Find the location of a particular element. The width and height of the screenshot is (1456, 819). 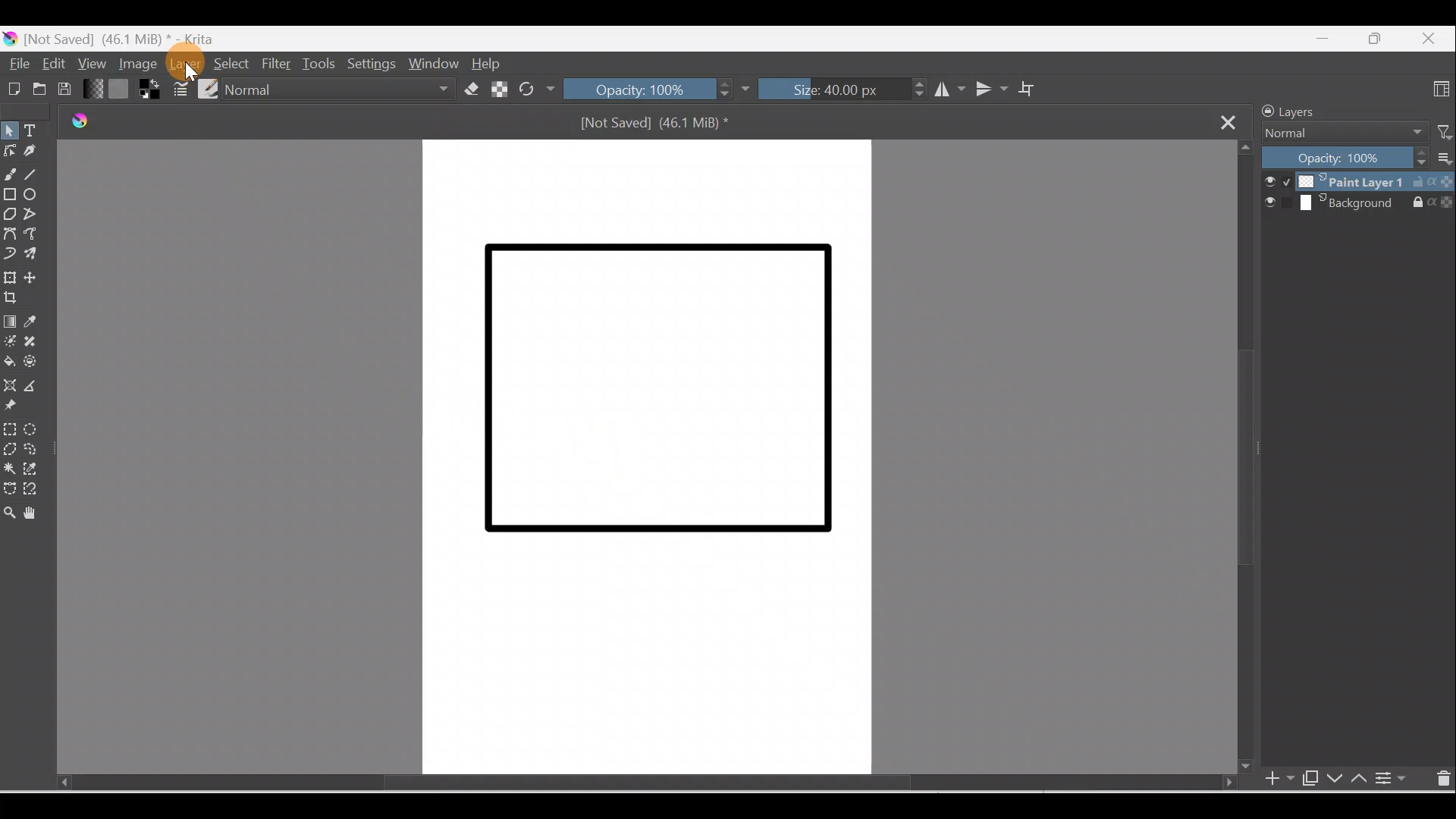

Filter is located at coordinates (1439, 131).